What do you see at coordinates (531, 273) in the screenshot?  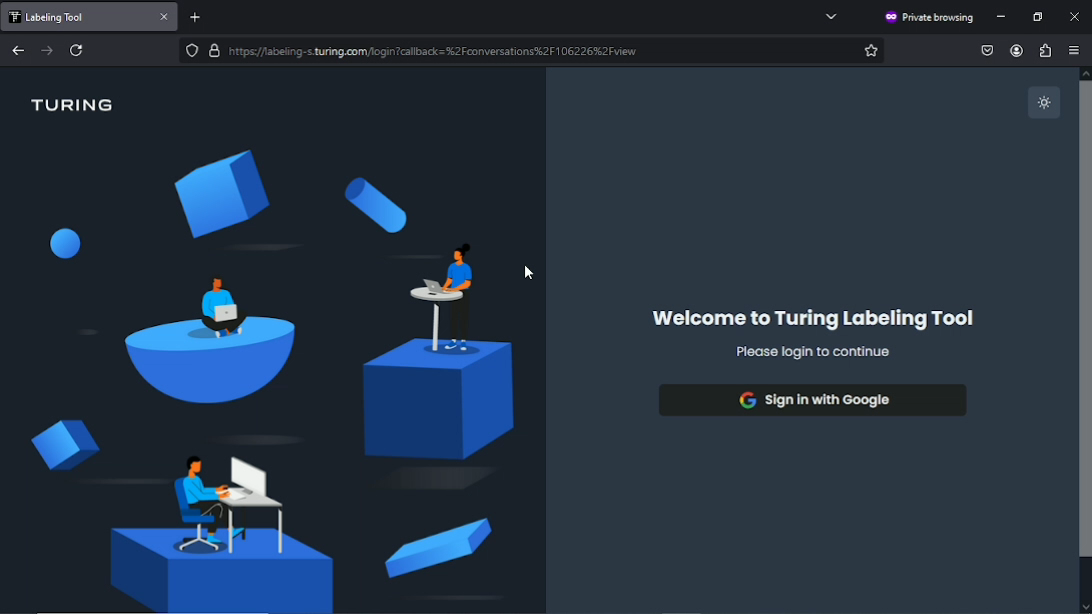 I see `Cursor` at bounding box center [531, 273].